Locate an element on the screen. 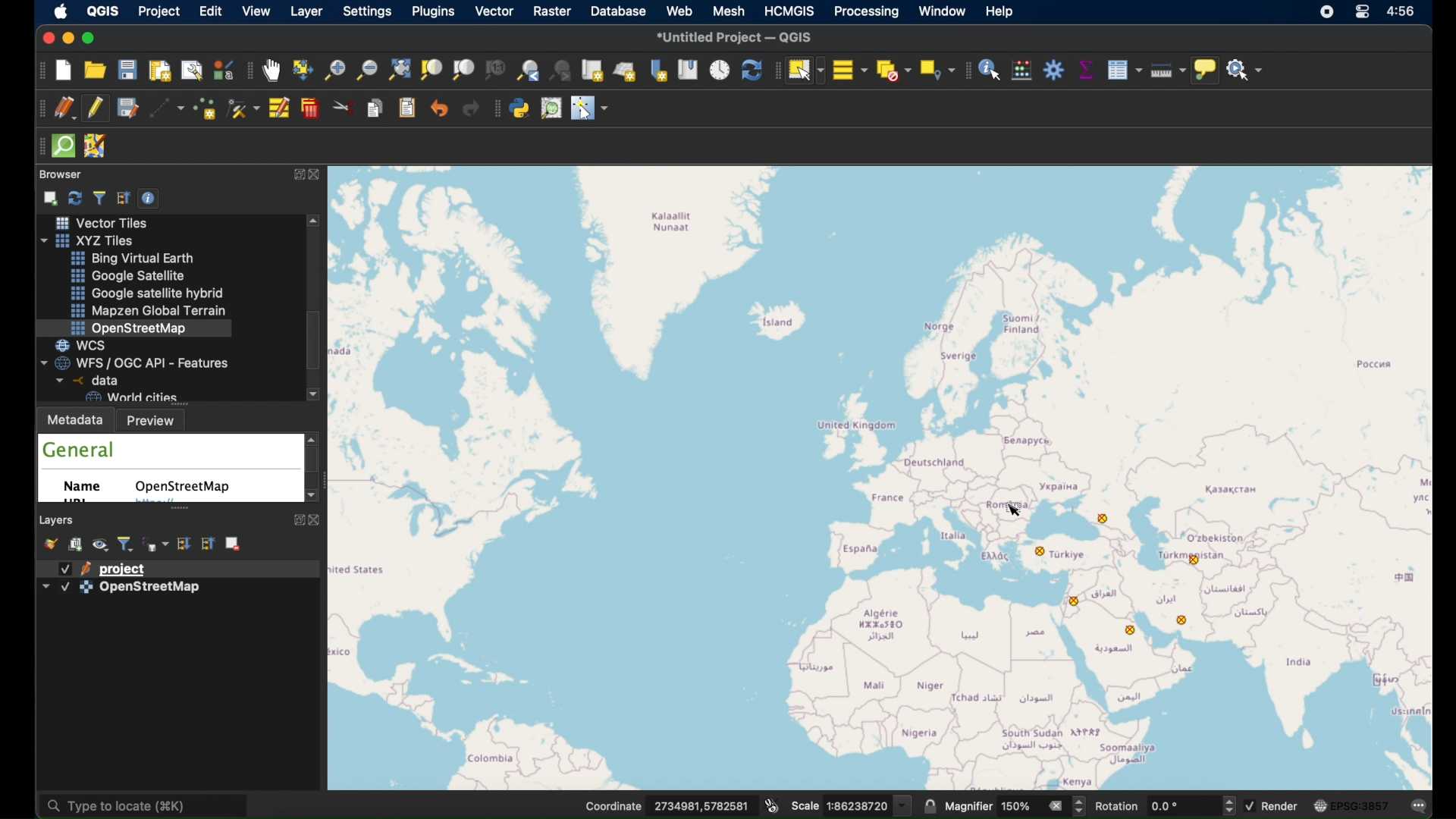 The width and height of the screenshot is (1456, 819). preview is located at coordinates (155, 420).